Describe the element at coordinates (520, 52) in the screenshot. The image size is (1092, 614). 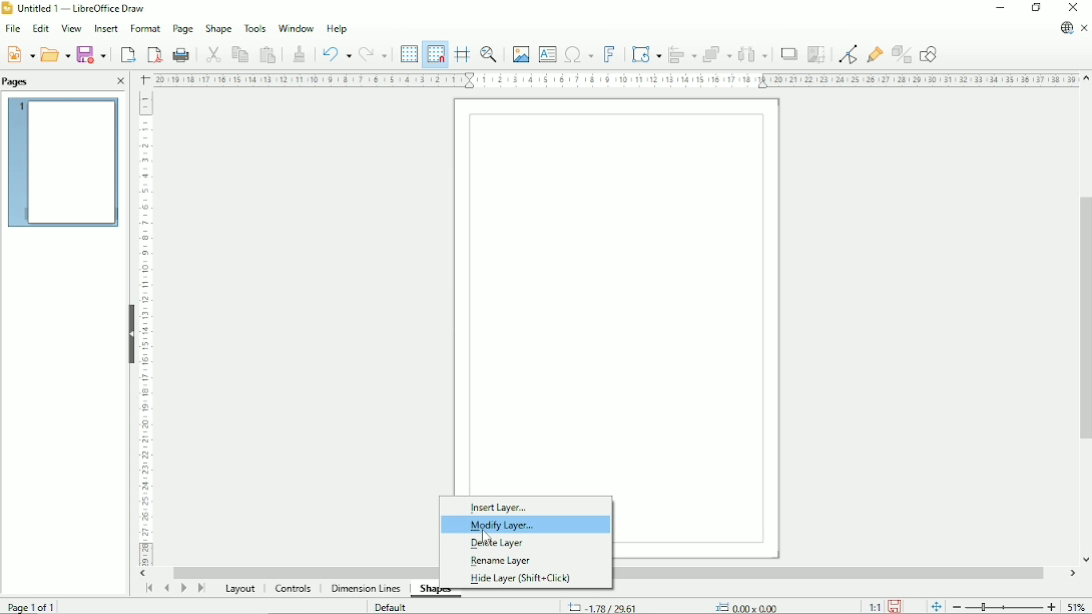
I see `Insert image` at that location.